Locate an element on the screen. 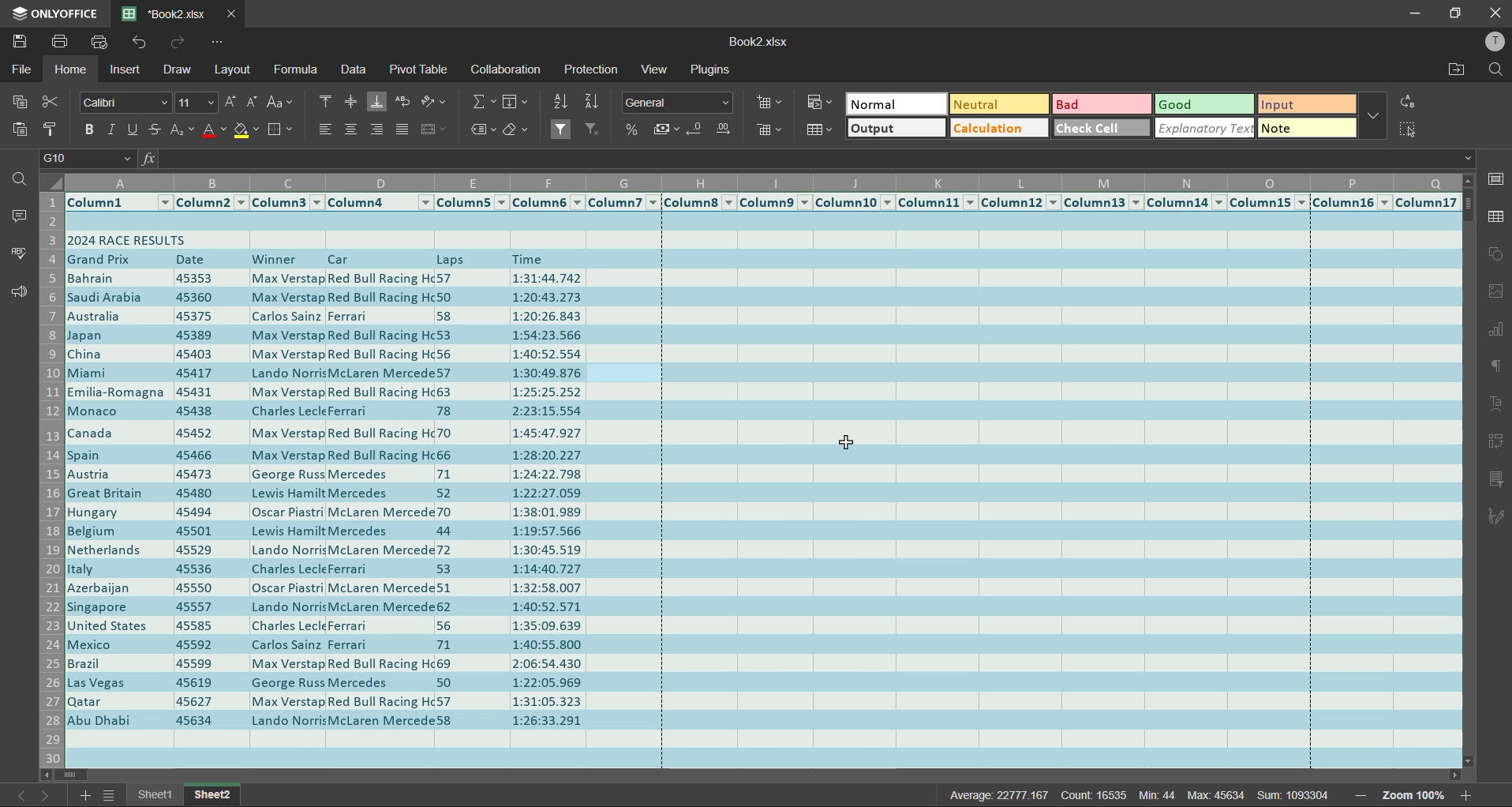  calculation is located at coordinates (997, 129).